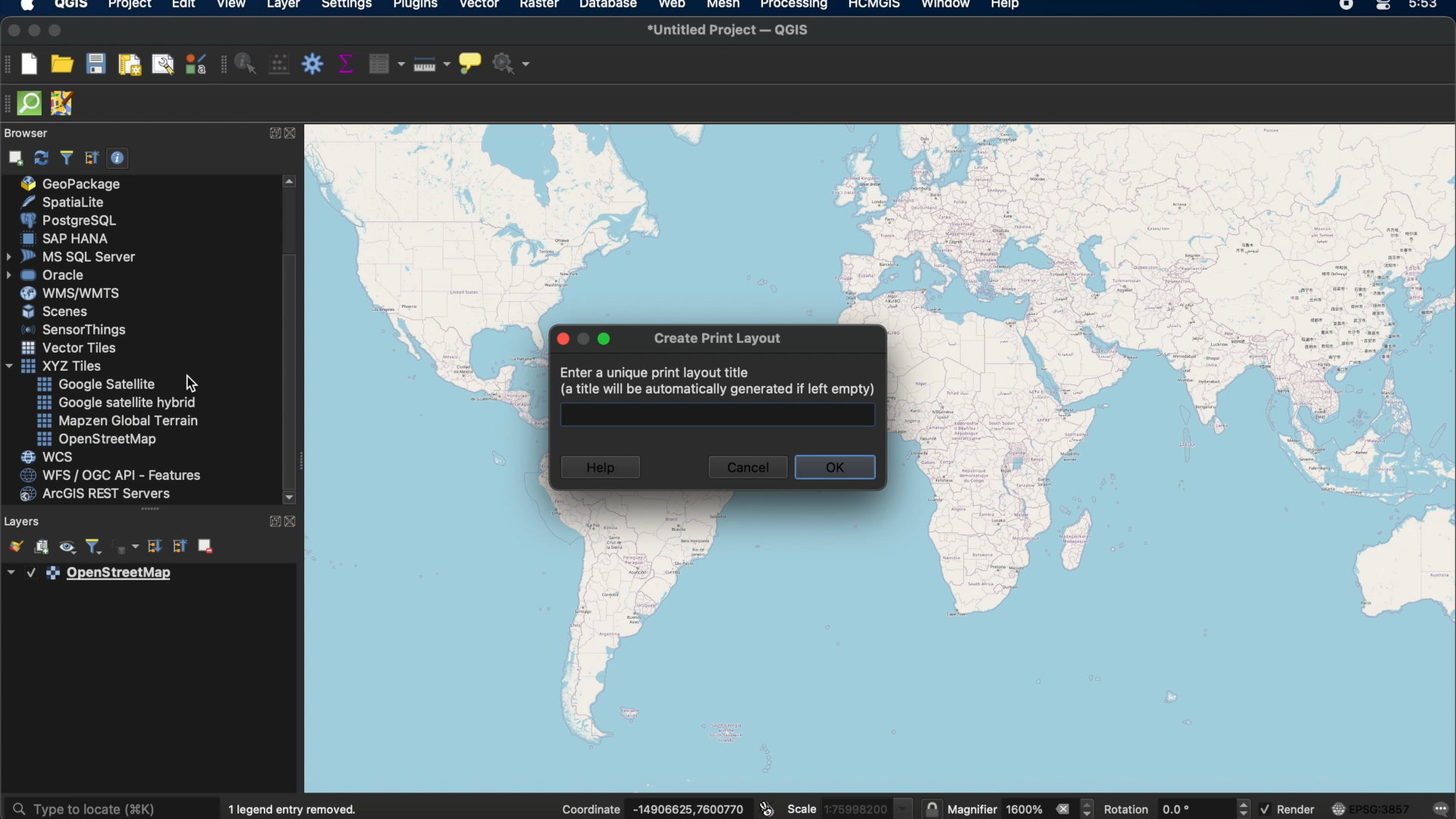  Describe the element at coordinates (607, 338) in the screenshot. I see `maximize` at that location.